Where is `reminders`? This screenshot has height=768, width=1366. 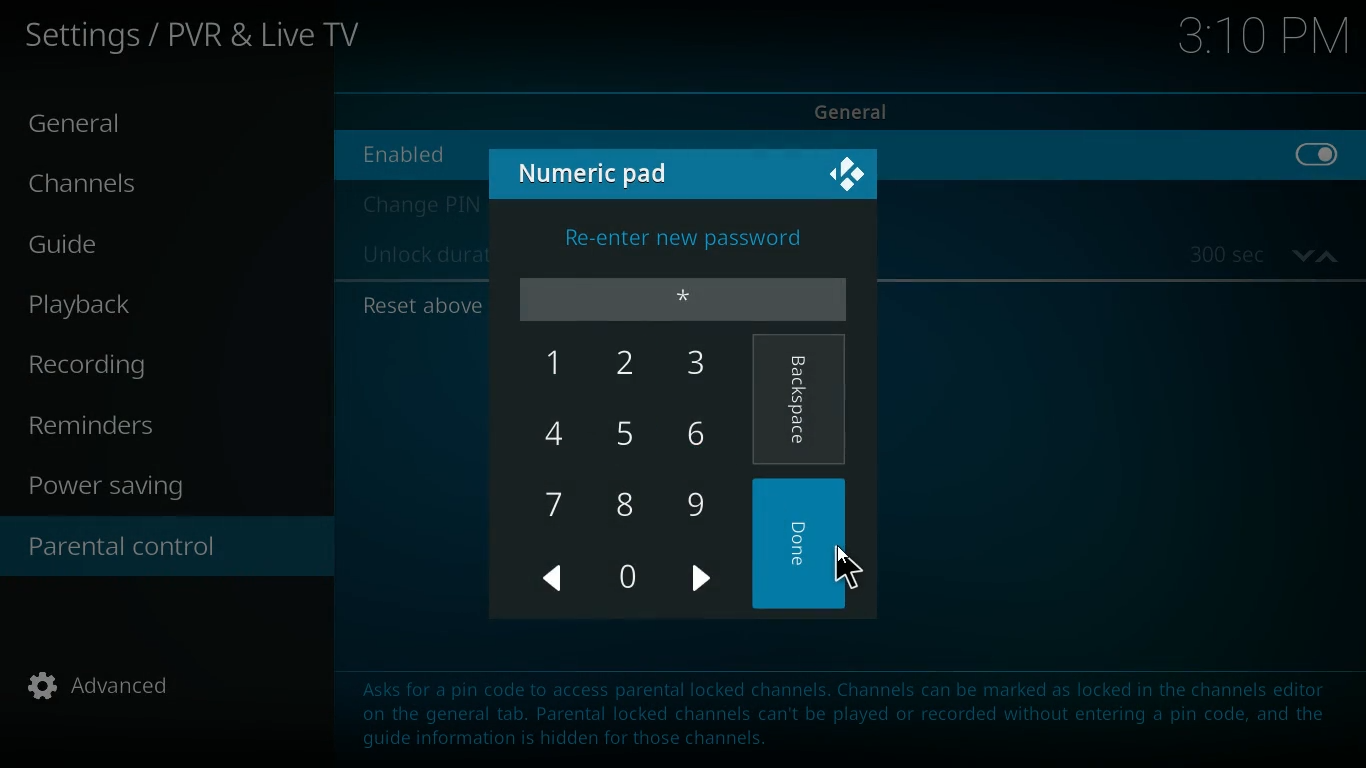 reminders is located at coordinates (101, 427).